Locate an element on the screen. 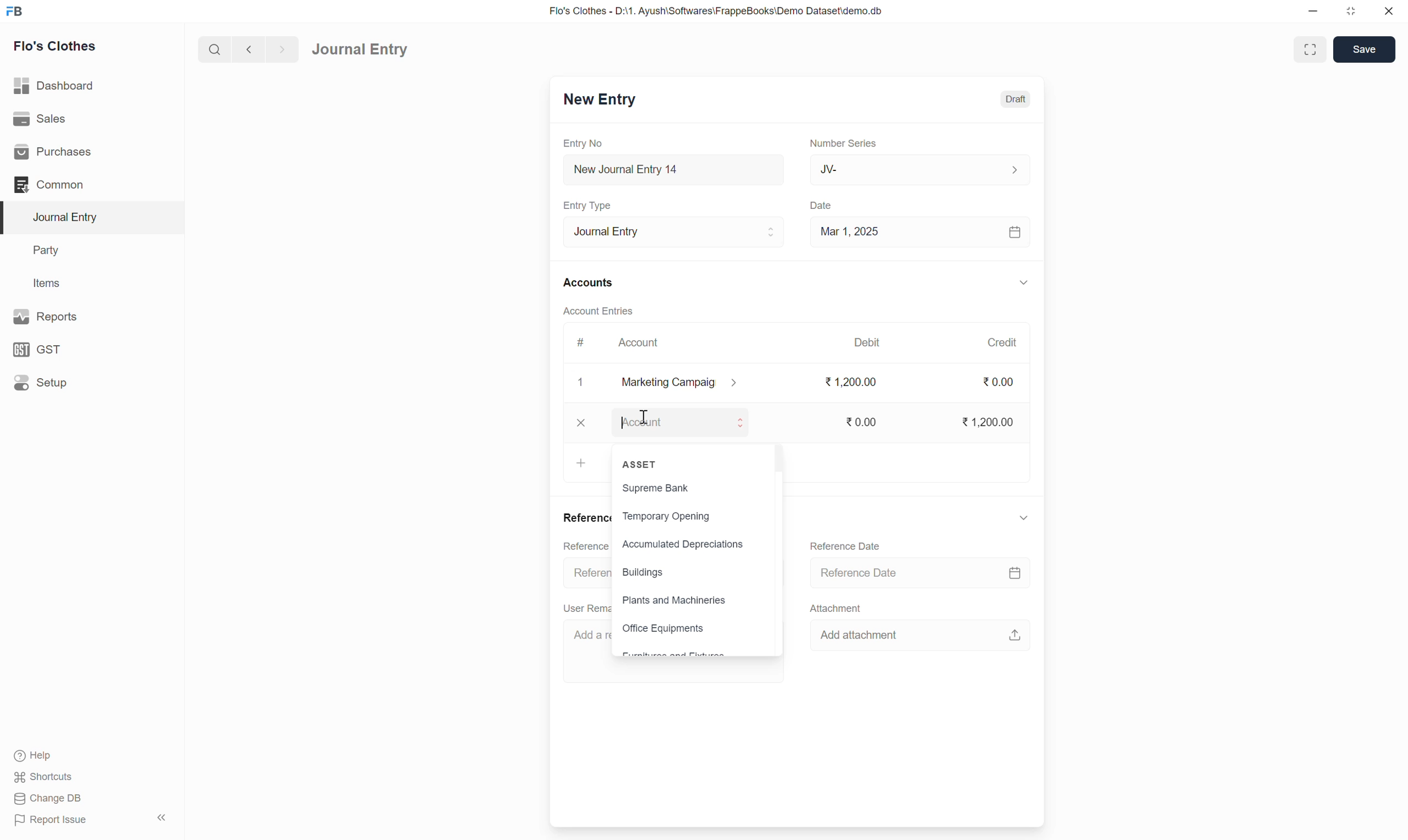 The image size is (1408, 840). Save is located at coordinates (1365, 50).